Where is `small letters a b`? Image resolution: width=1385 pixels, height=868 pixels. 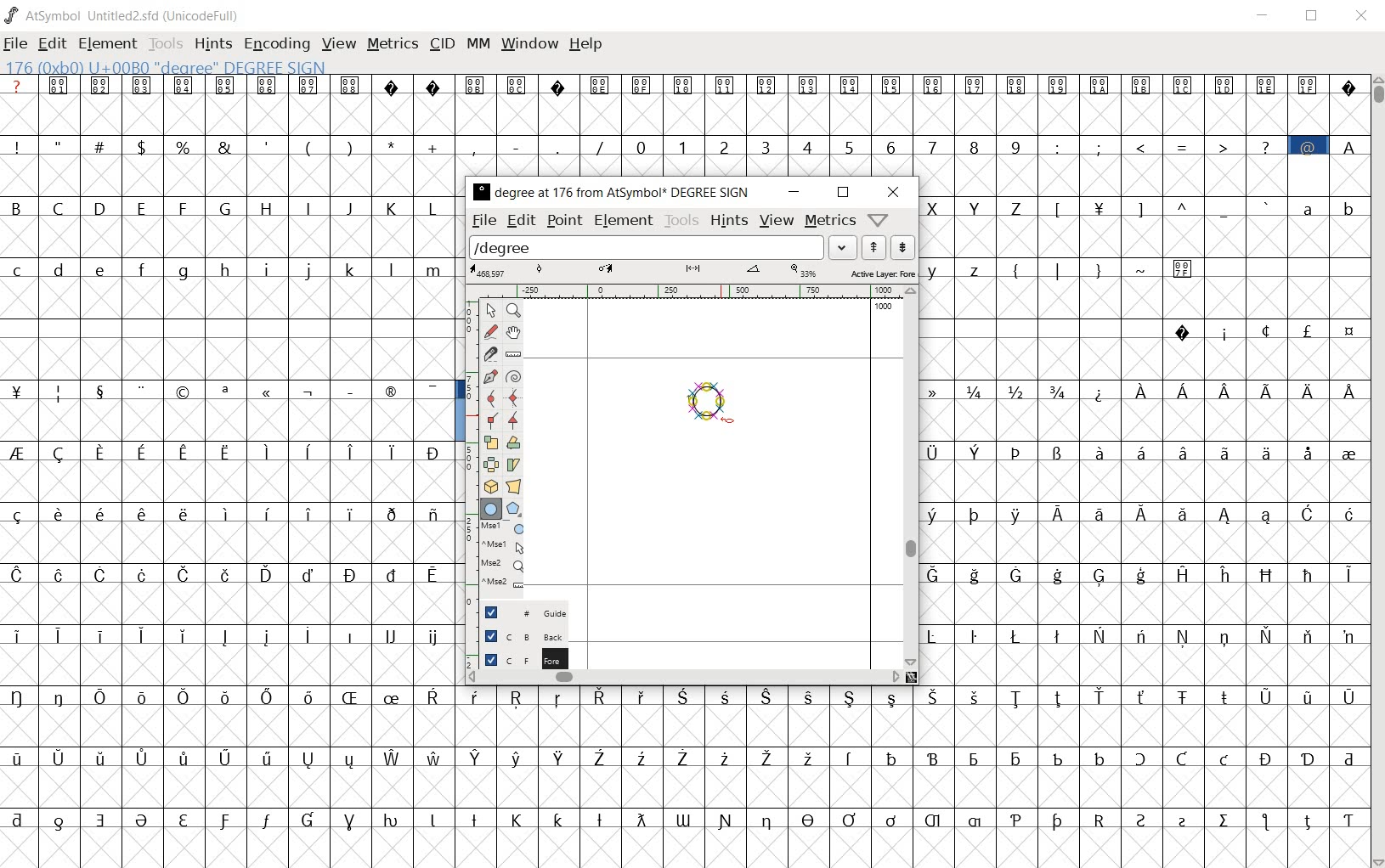
small letters a b is located at coordinates (1329, 207).